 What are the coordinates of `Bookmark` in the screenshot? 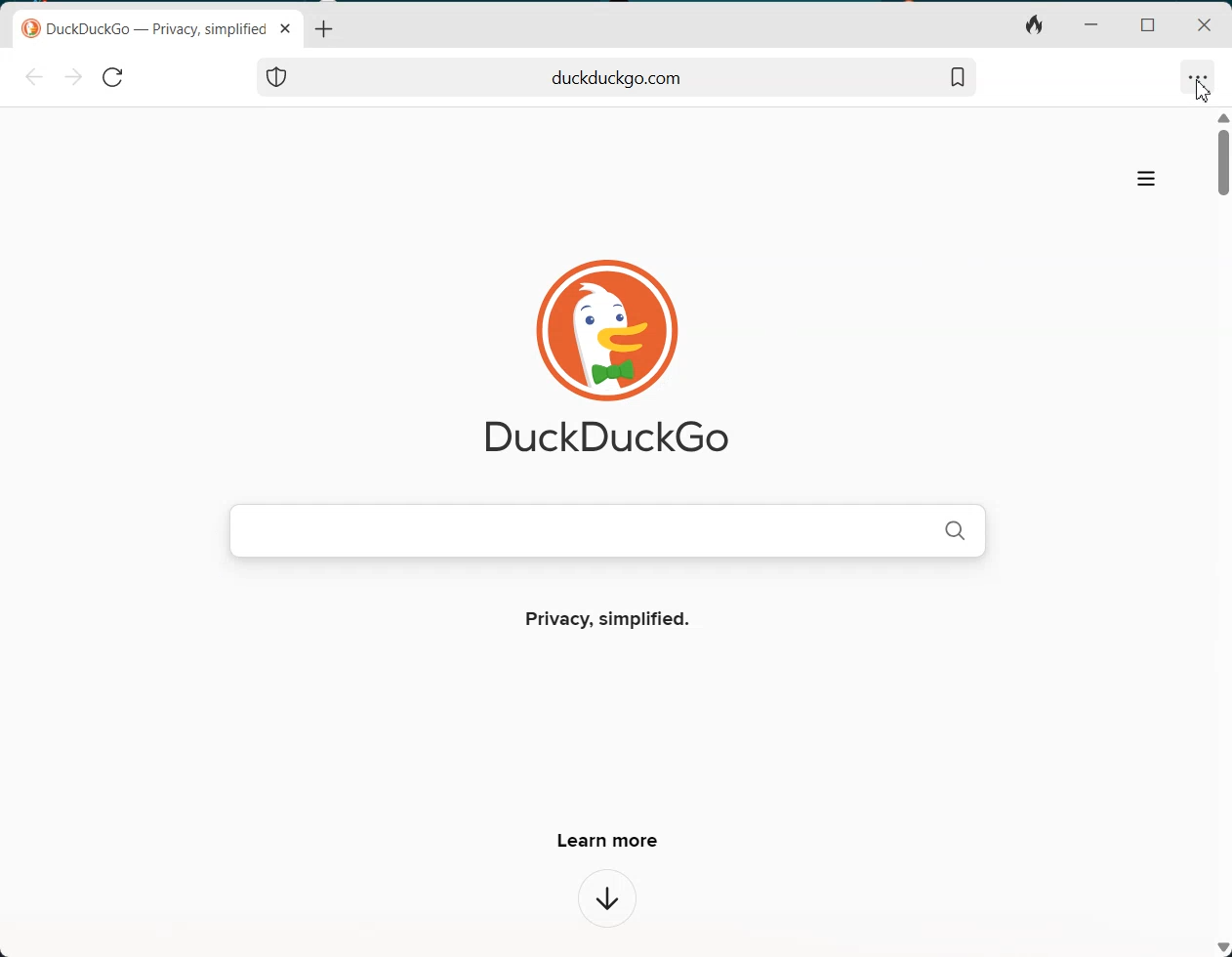 It's located at (957, 77).